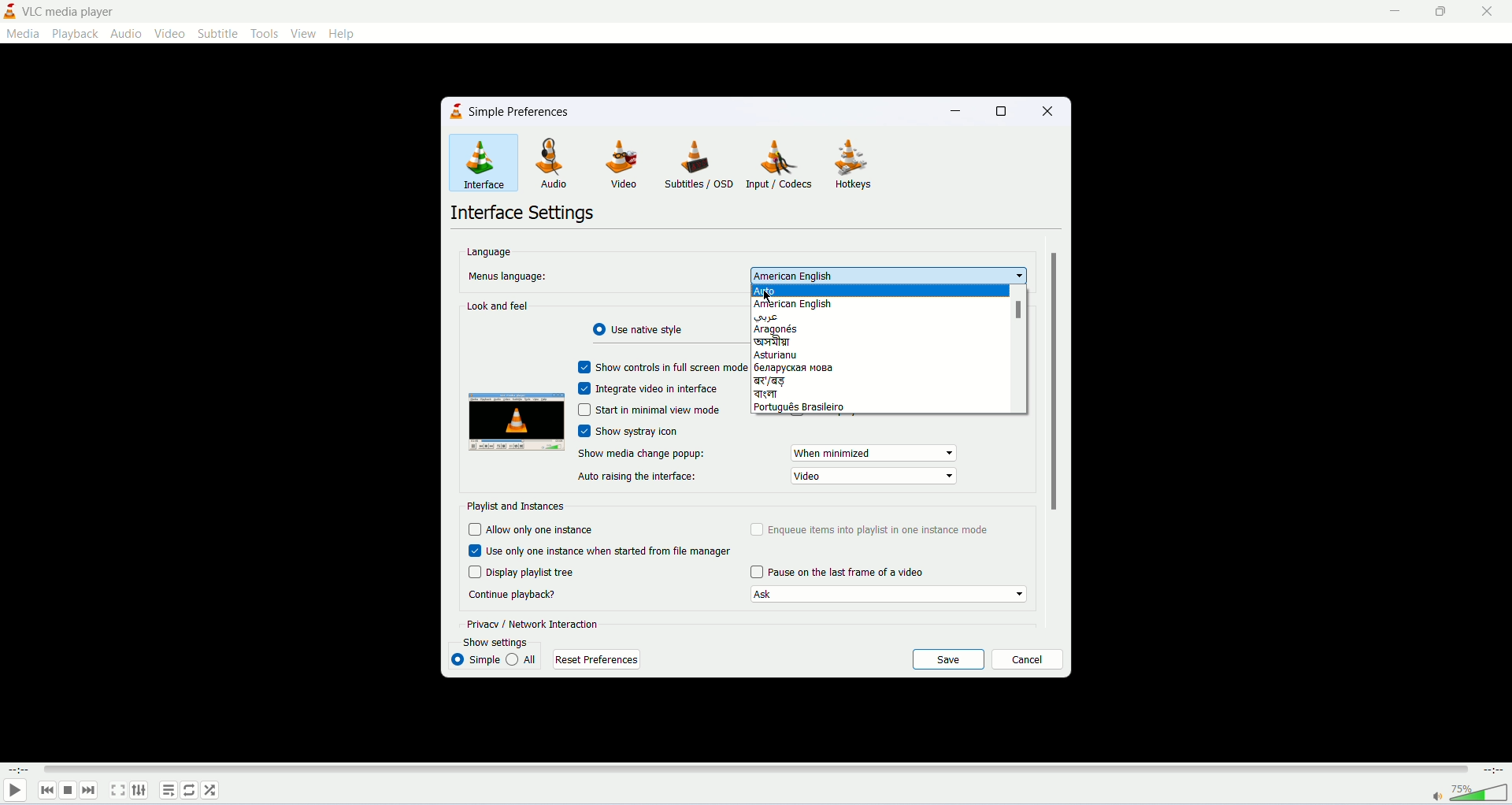 The width and height of the screenshot is (1512, 805). I want to click on arabic, so click(880, 317).